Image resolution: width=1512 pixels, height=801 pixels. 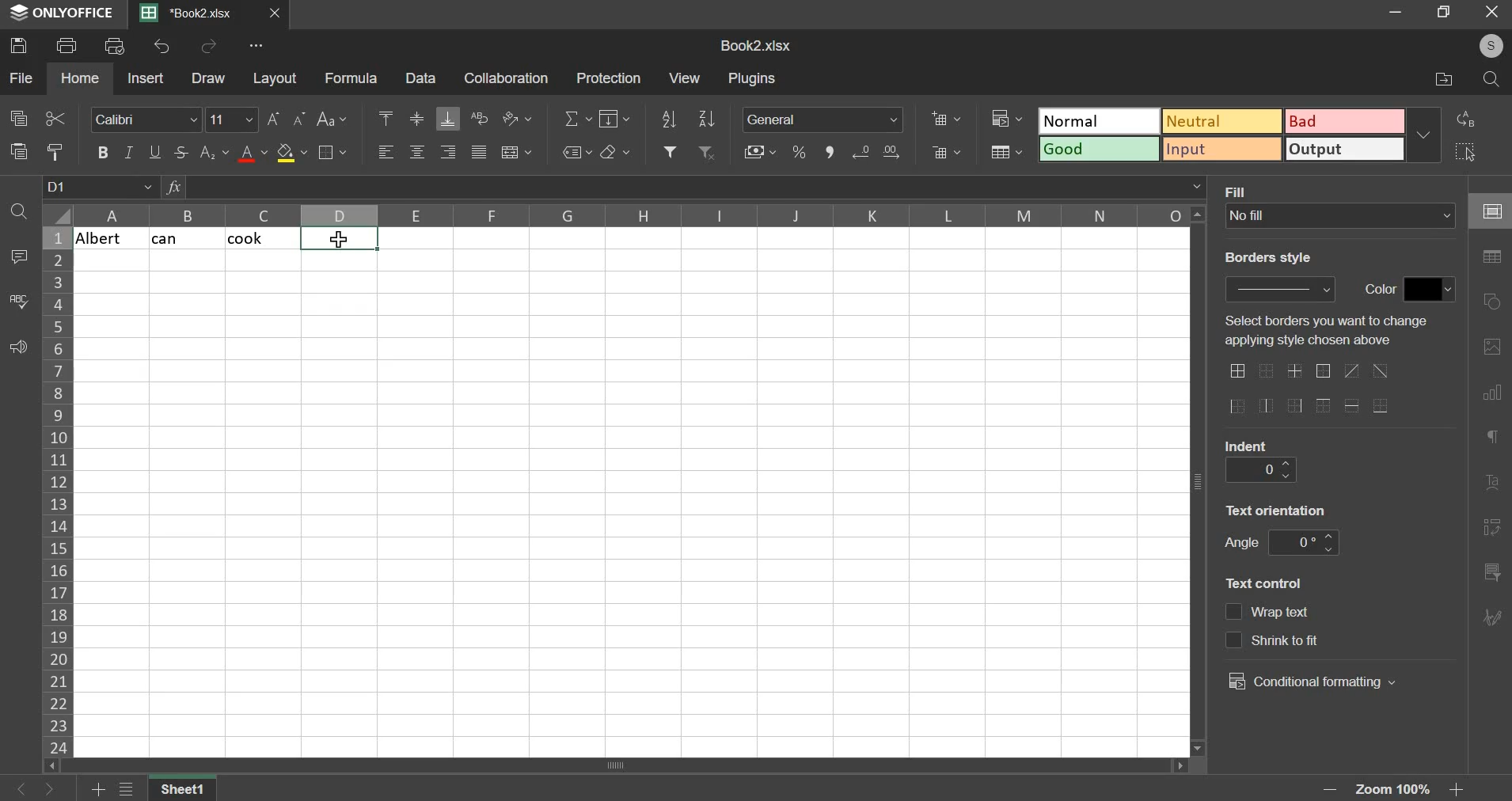 What do you see at coordinates (161, 46) in the screenshot?
I see `undo` at bounding box center [161, 46].